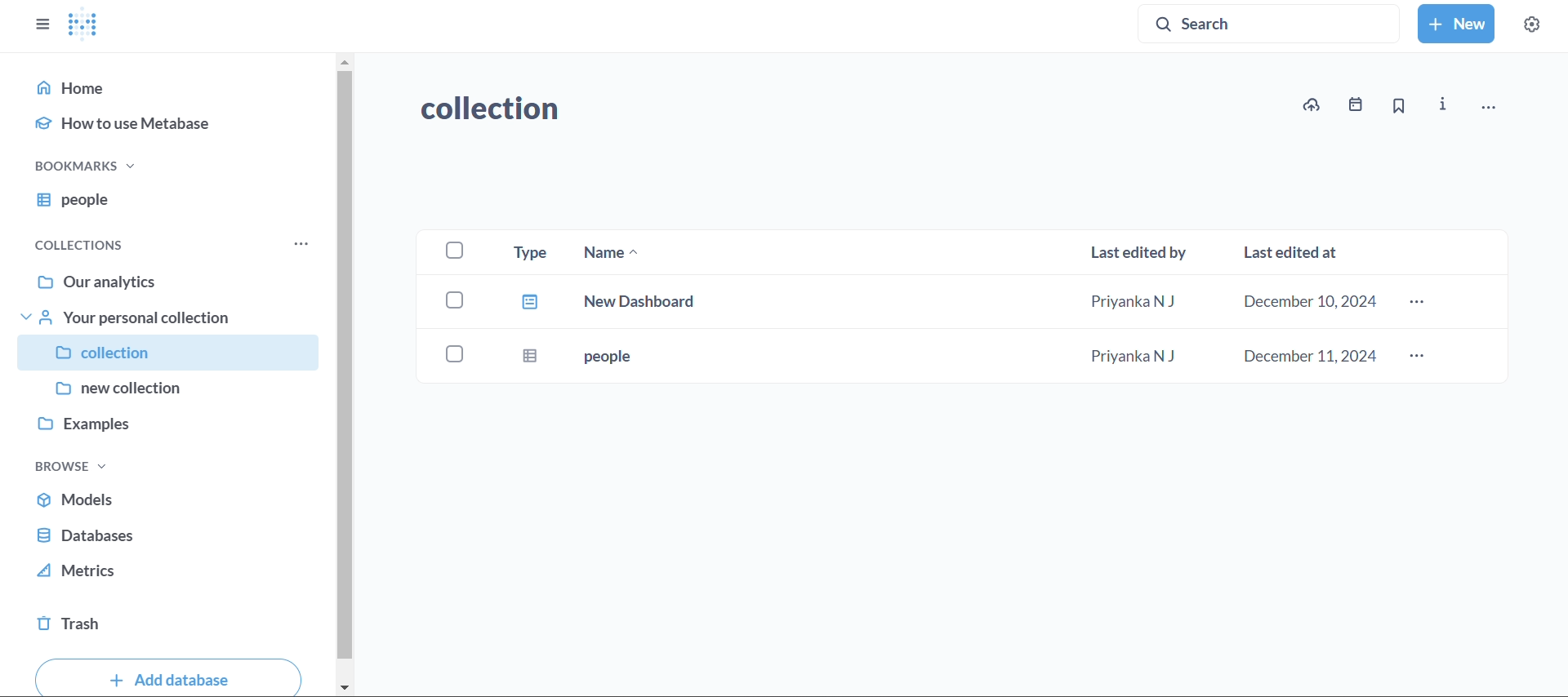 This screenshot has height=697, width=1568. I want to click on logo, so click(83, 26).